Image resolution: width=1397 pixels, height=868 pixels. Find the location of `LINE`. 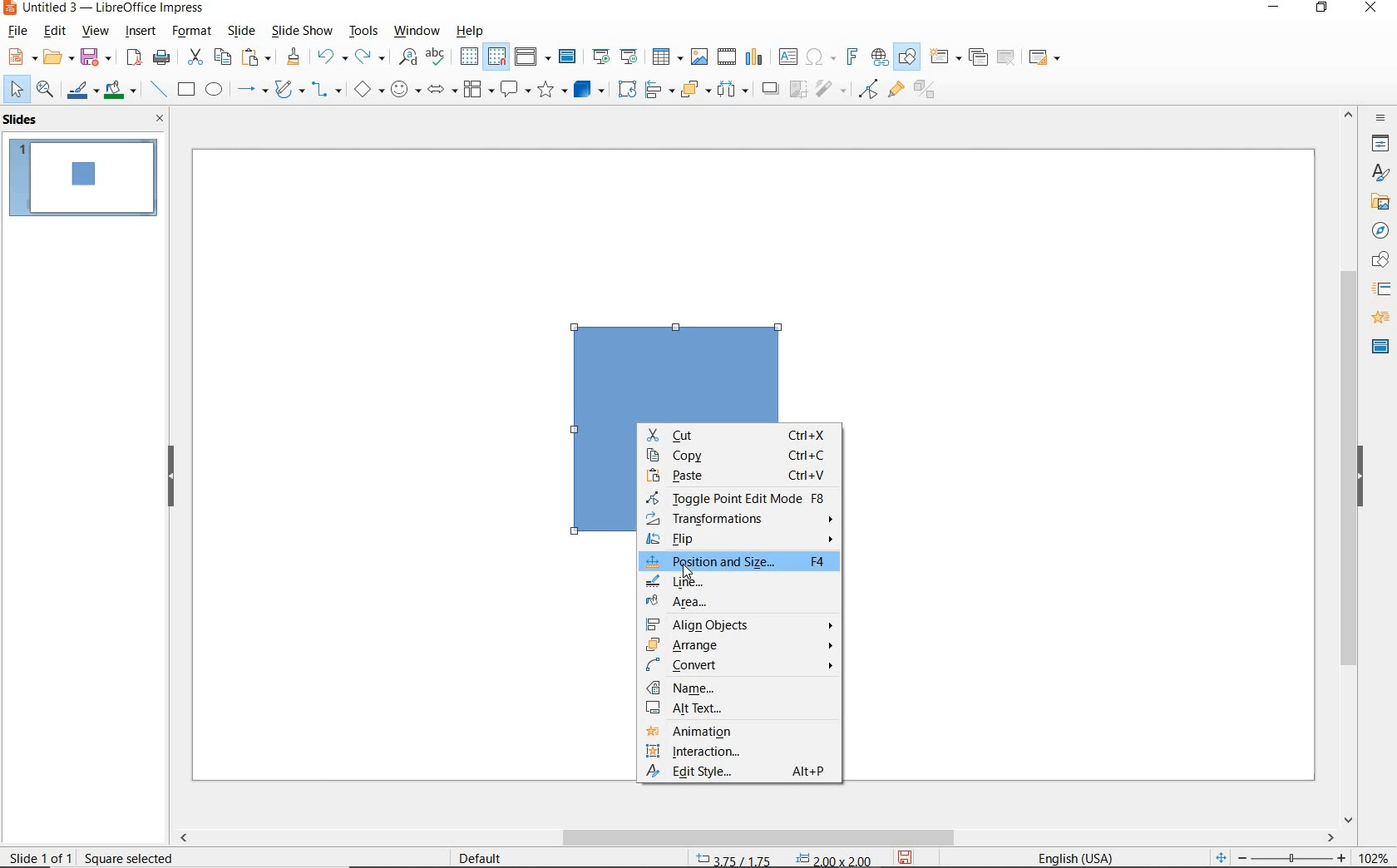

LINE is located at coordinates (737, 581).